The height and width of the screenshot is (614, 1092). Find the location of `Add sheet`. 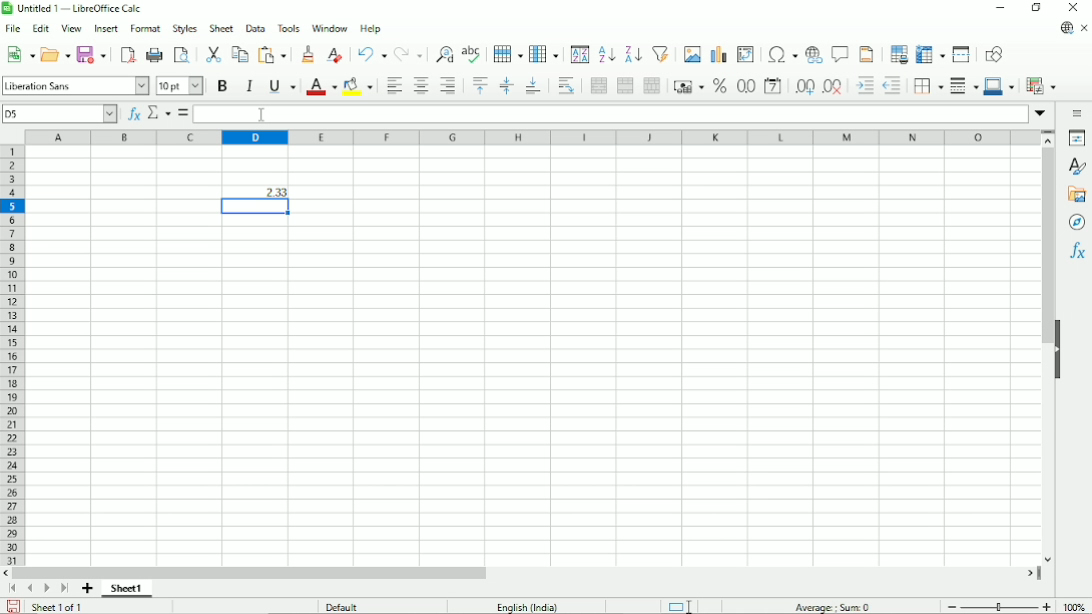

Add sheet is located at coordinates (88, 588).